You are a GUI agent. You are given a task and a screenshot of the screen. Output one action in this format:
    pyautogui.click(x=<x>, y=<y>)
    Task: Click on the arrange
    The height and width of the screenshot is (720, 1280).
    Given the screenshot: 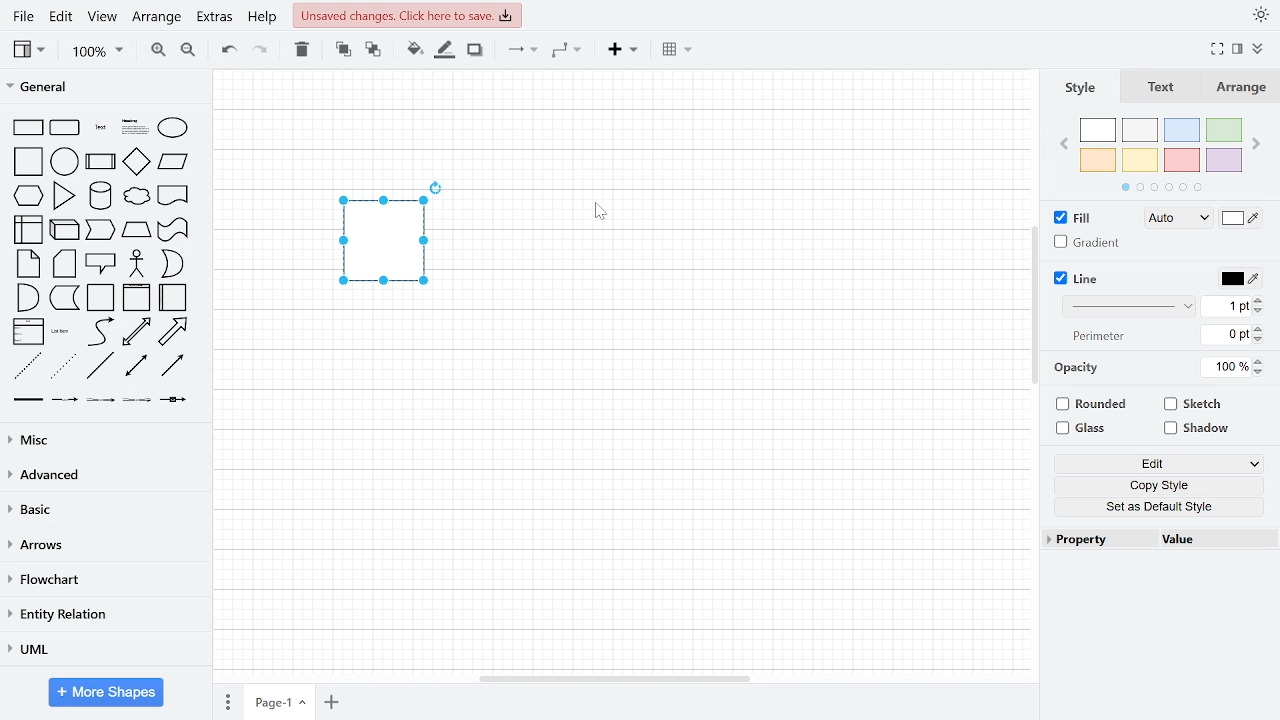 What is the action you would take?
    pyautogui.click(x=158, y=20)
    